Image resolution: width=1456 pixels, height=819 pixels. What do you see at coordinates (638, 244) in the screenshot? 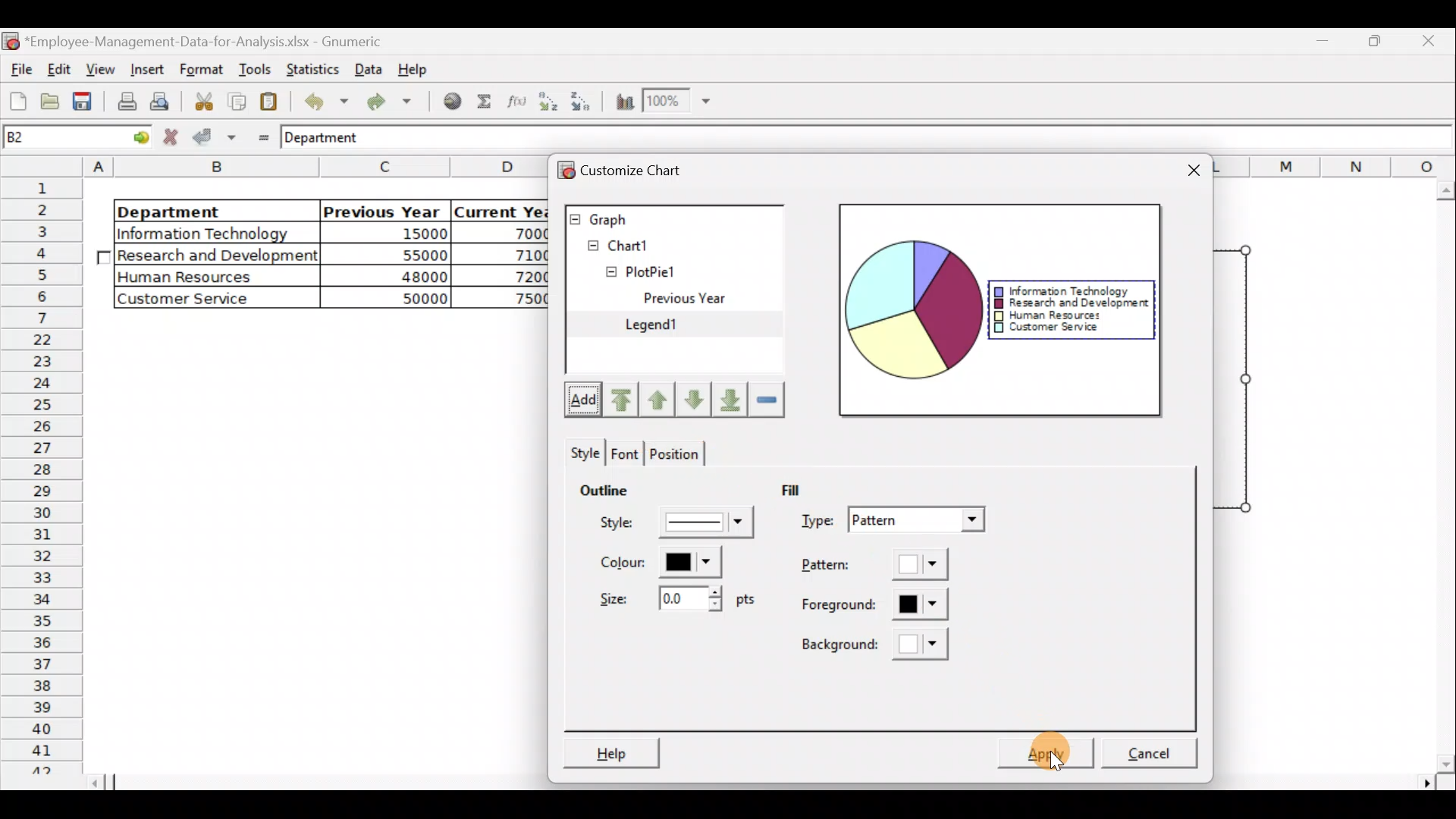
I see `Chart1` at bounding box center [638, 244].